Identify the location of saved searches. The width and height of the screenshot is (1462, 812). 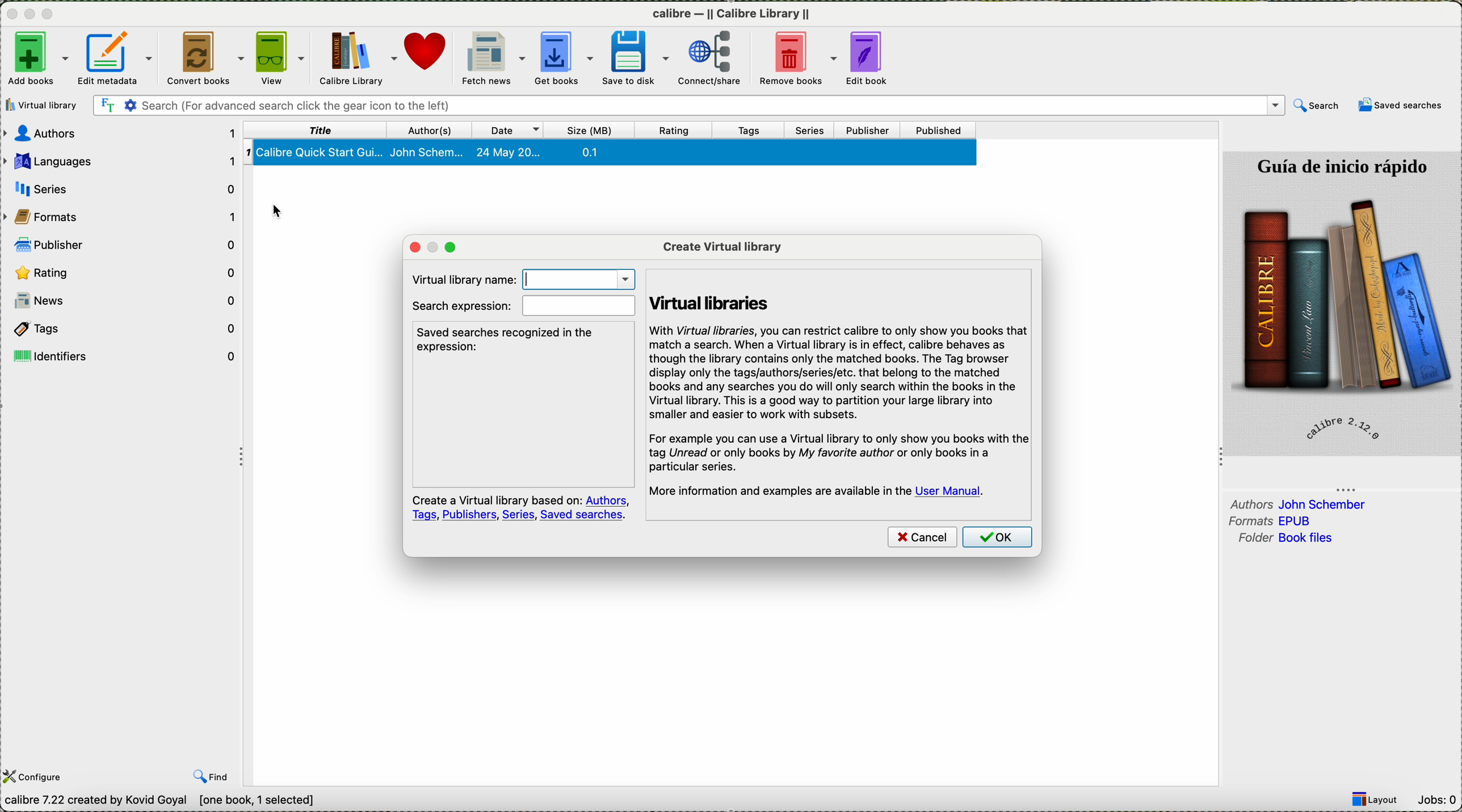
(1402, 106).